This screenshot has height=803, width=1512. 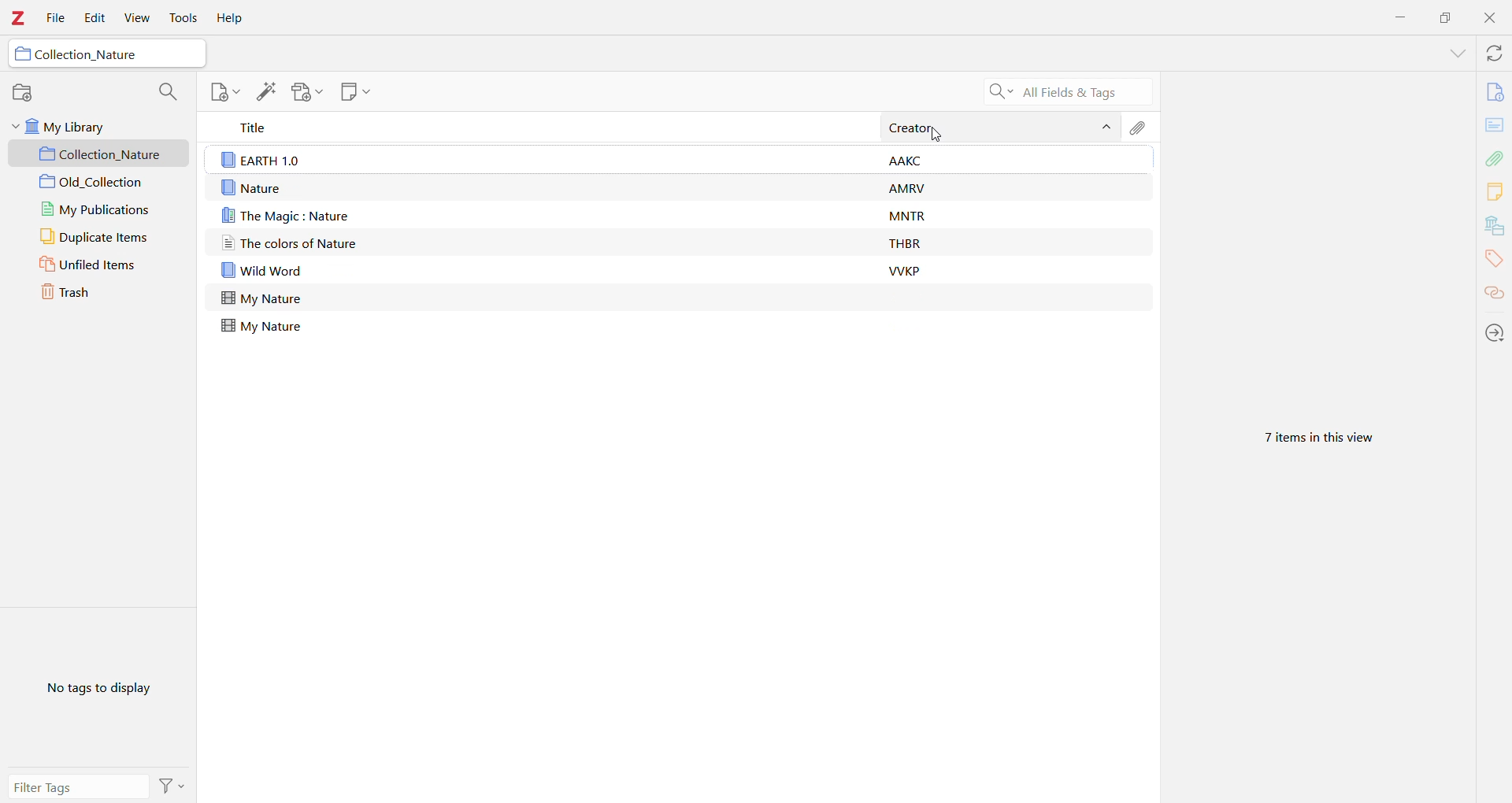 I want to click on The magic: nature, so click(x=283, y=216).